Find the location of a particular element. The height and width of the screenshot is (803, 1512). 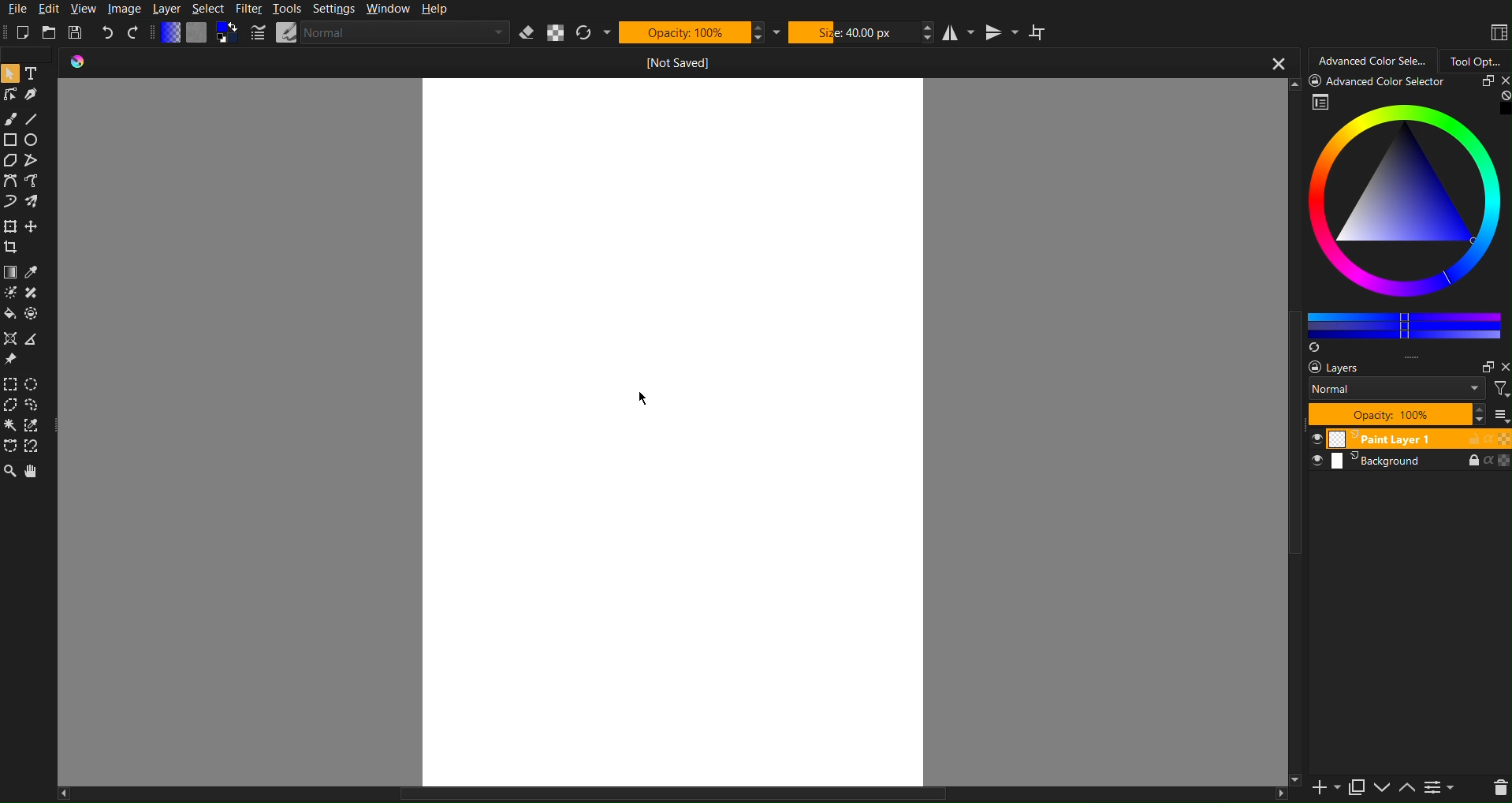

Open is located at coordinates (48, 32).